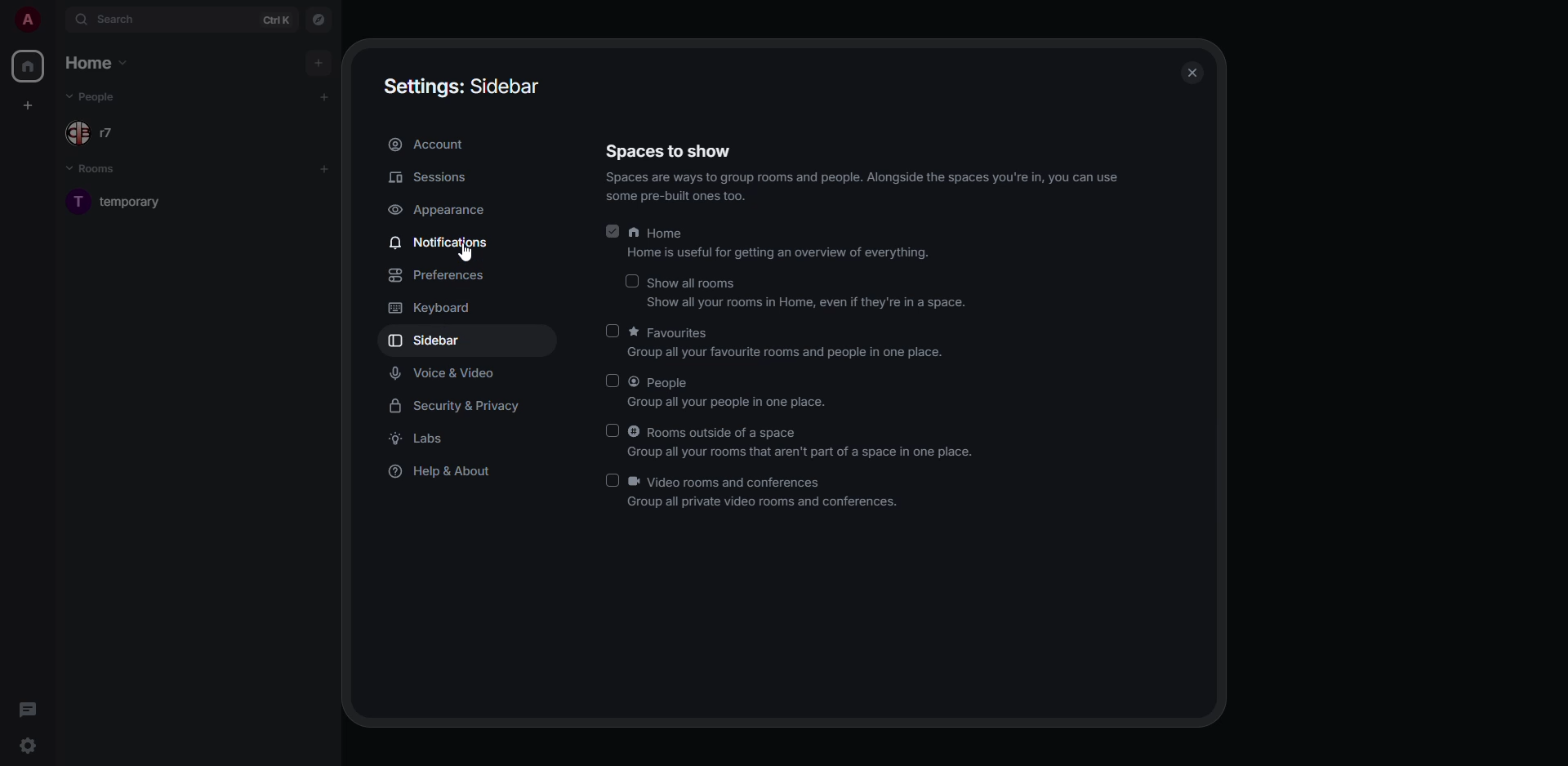  I want to click on favorites, so click(791, 344).